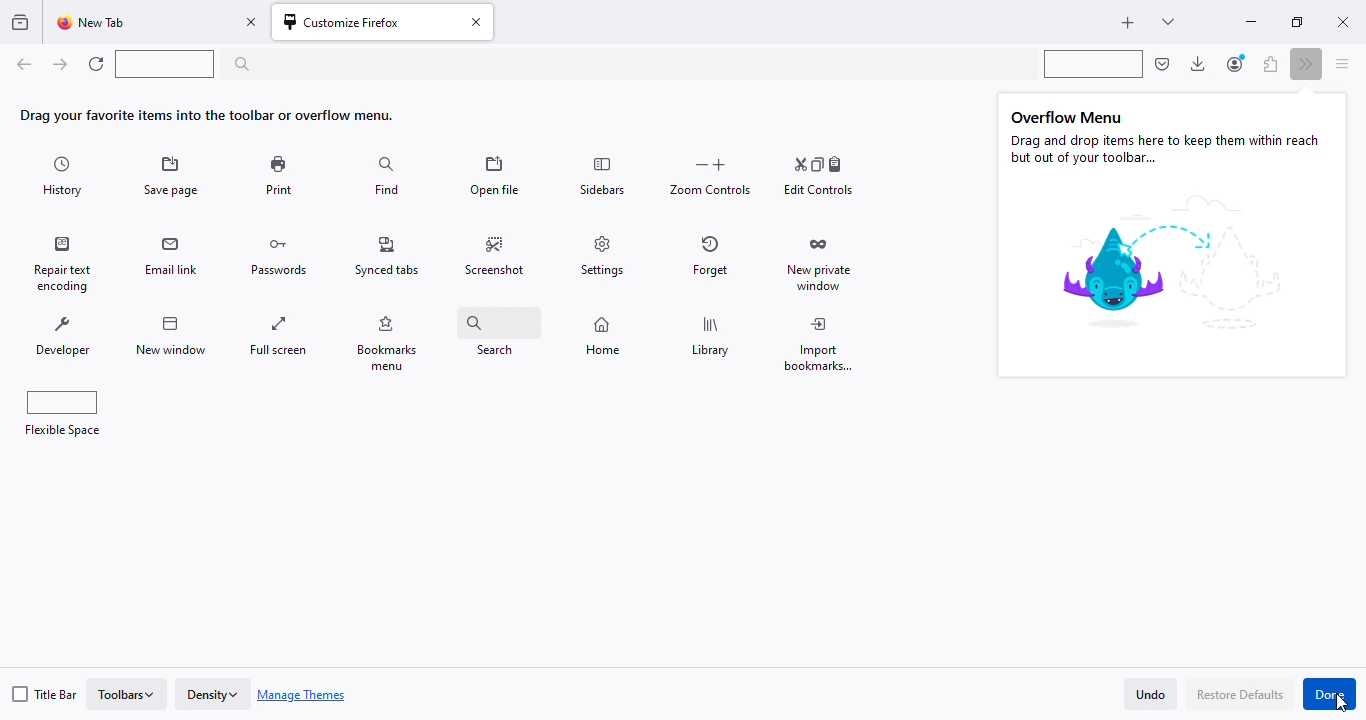 The width and height of the screenshot is (1366, 720). I want to click on email link, so click(170, 256).